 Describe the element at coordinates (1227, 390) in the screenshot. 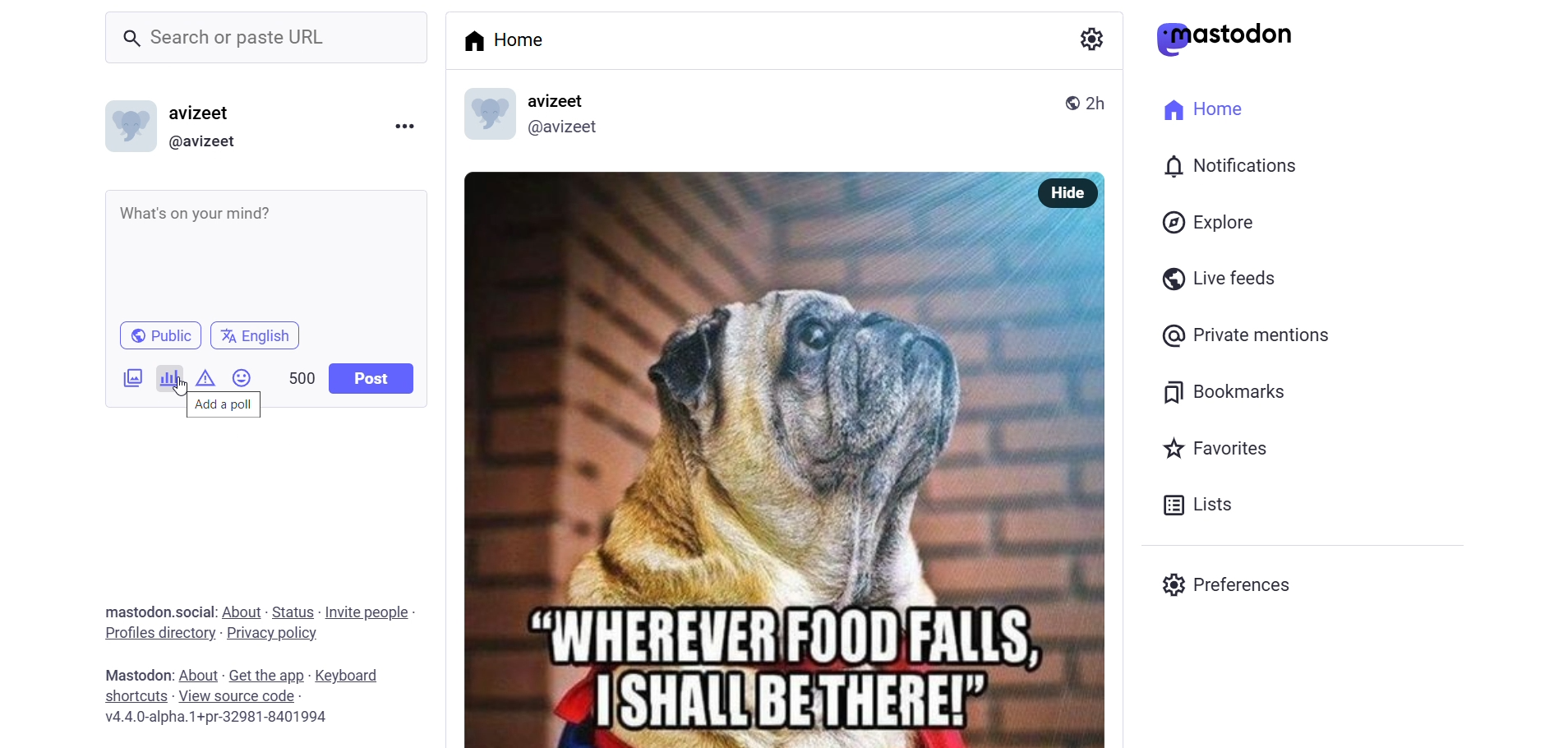

I see `bookmark` at that location.